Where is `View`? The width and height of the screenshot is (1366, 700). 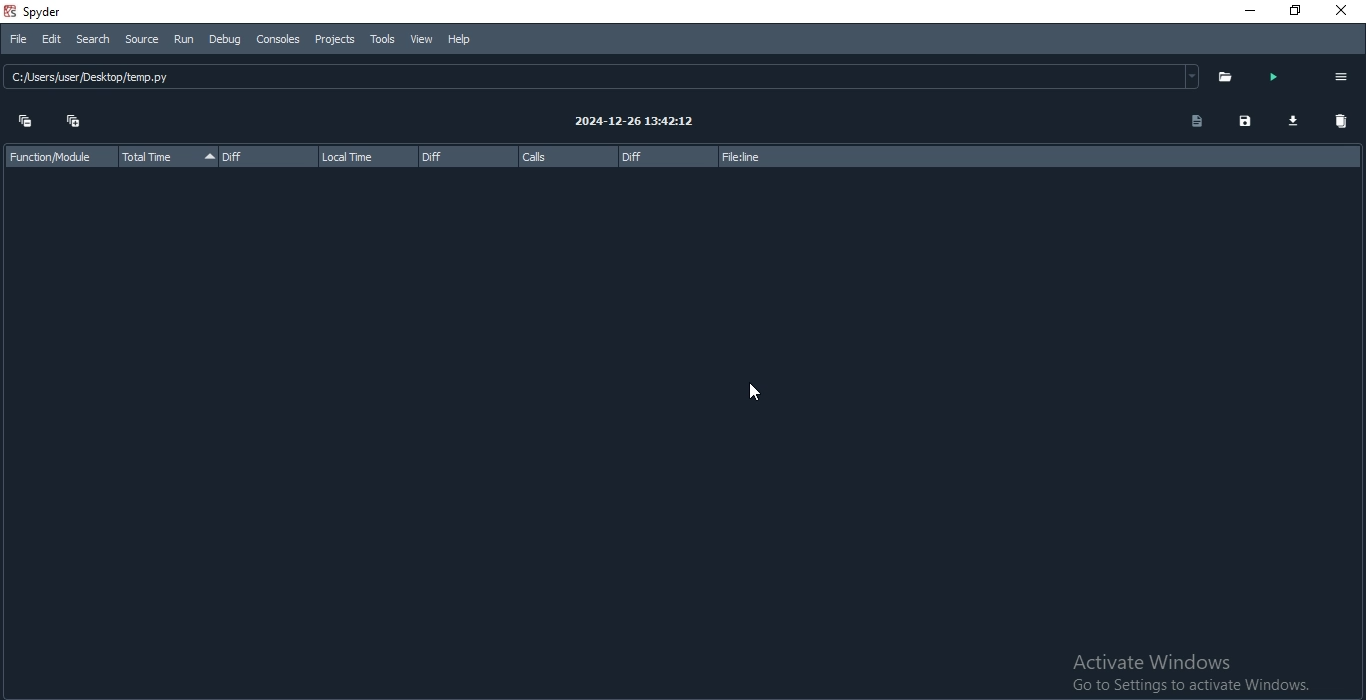
View is located at coordinates (422, 40).